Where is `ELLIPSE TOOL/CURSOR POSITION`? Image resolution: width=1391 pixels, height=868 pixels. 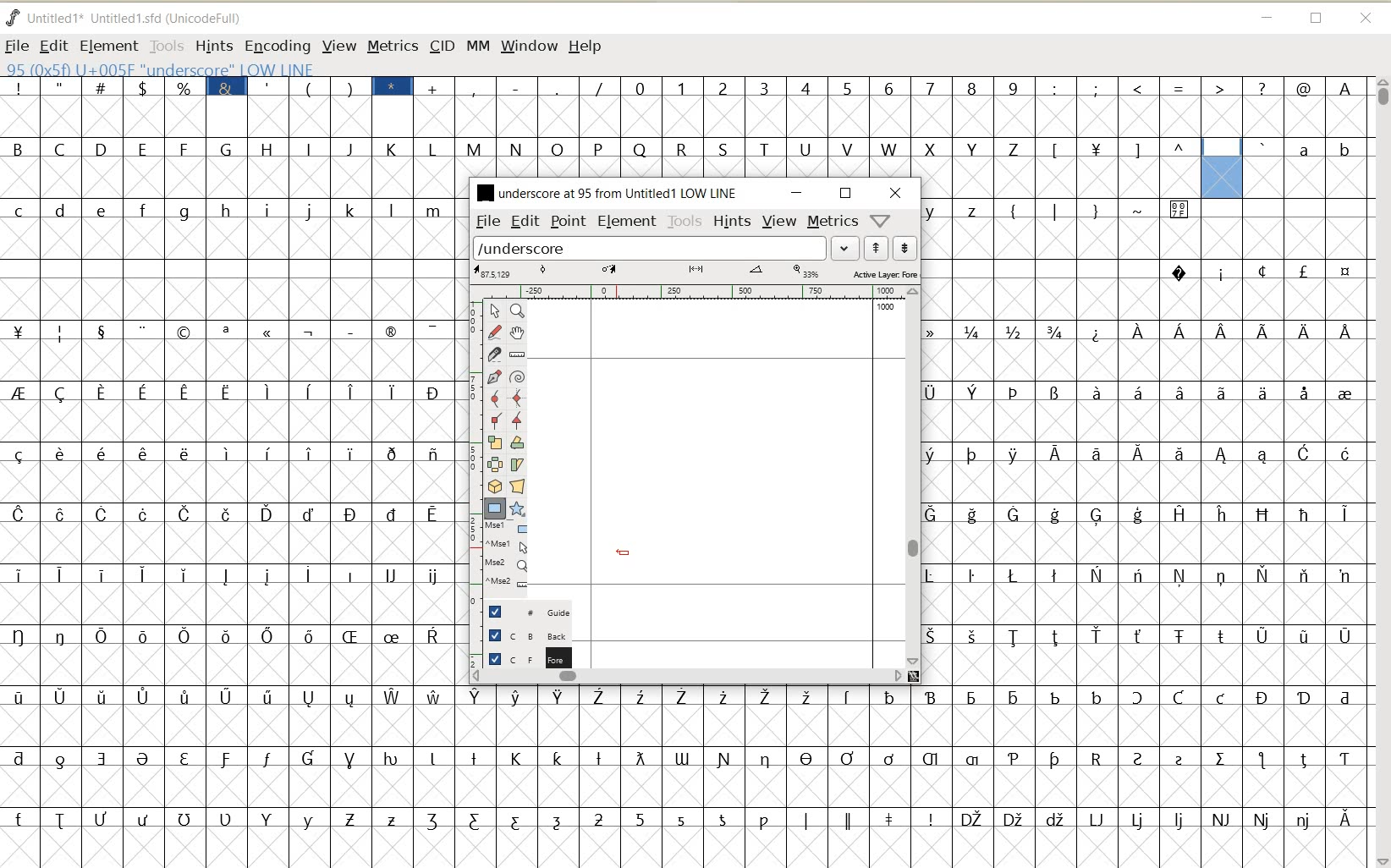
ELLIPSE TOOL/CURSOR POSITION is located at coordinates (623, 552).